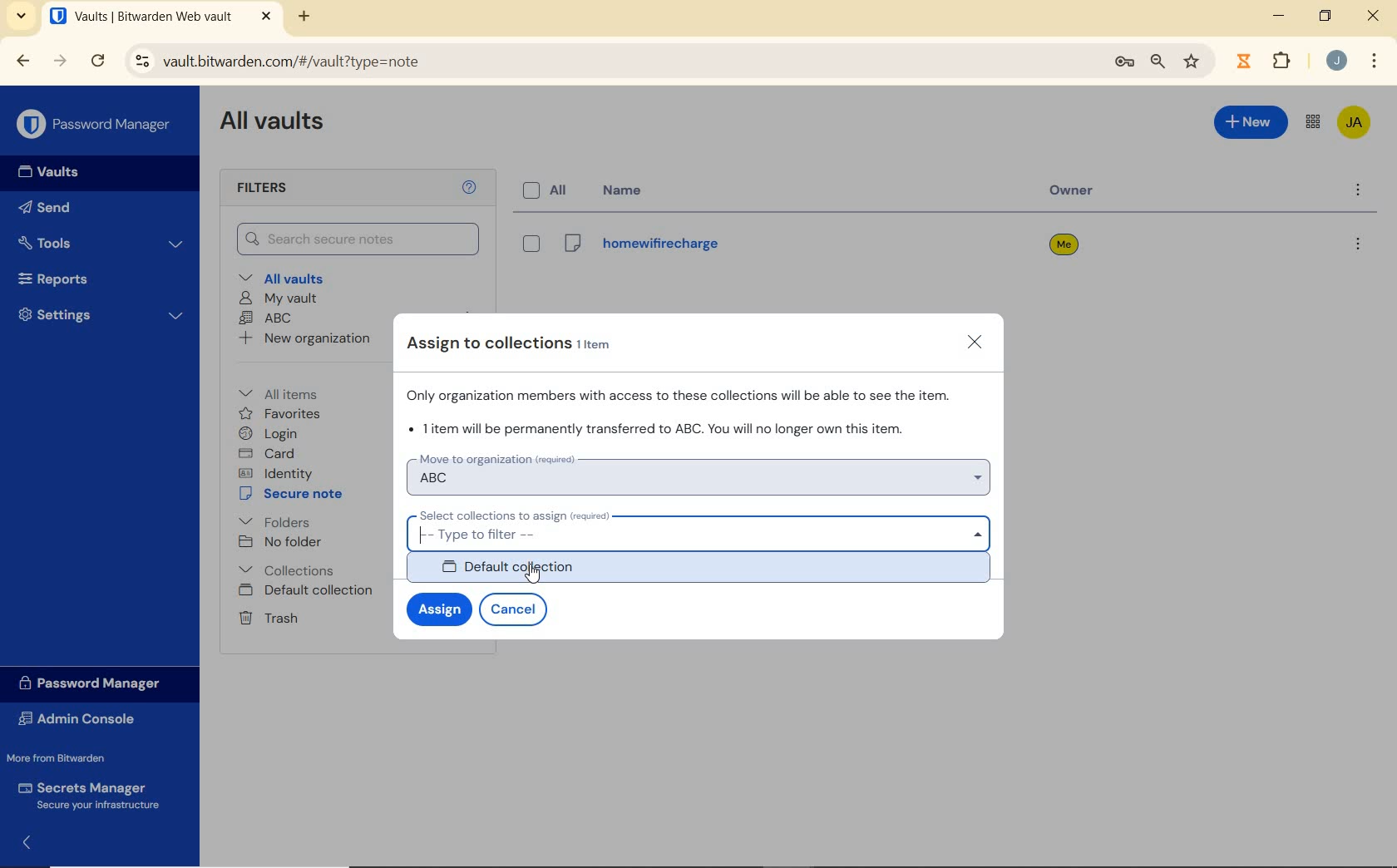 The height and width of the screenshot is (868, 1397). What do you see at coordinates (549, 191) in the screenshot?
I see `all` at bounding box center [549, 191].